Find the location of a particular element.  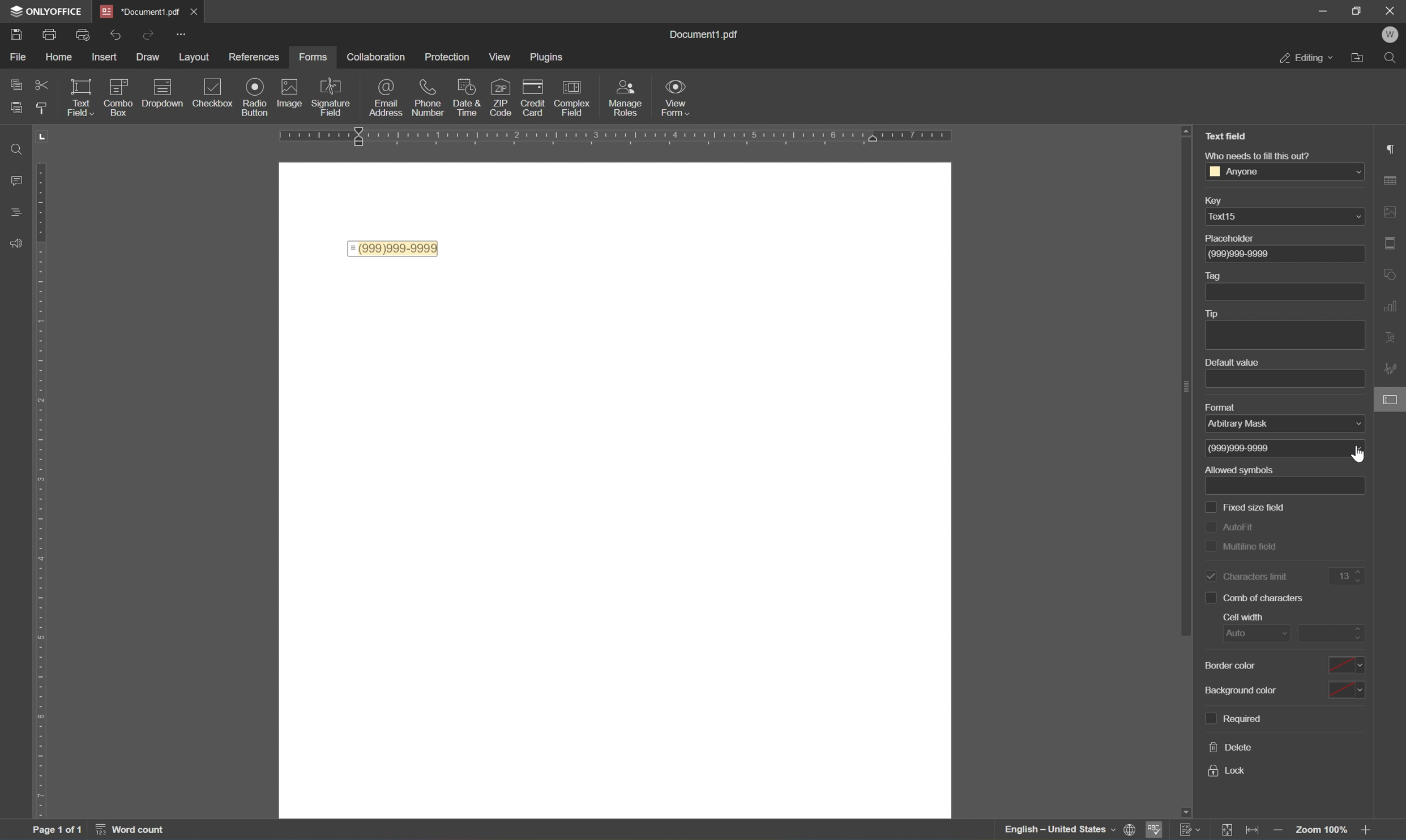

home is located at coordinates (58, 59).